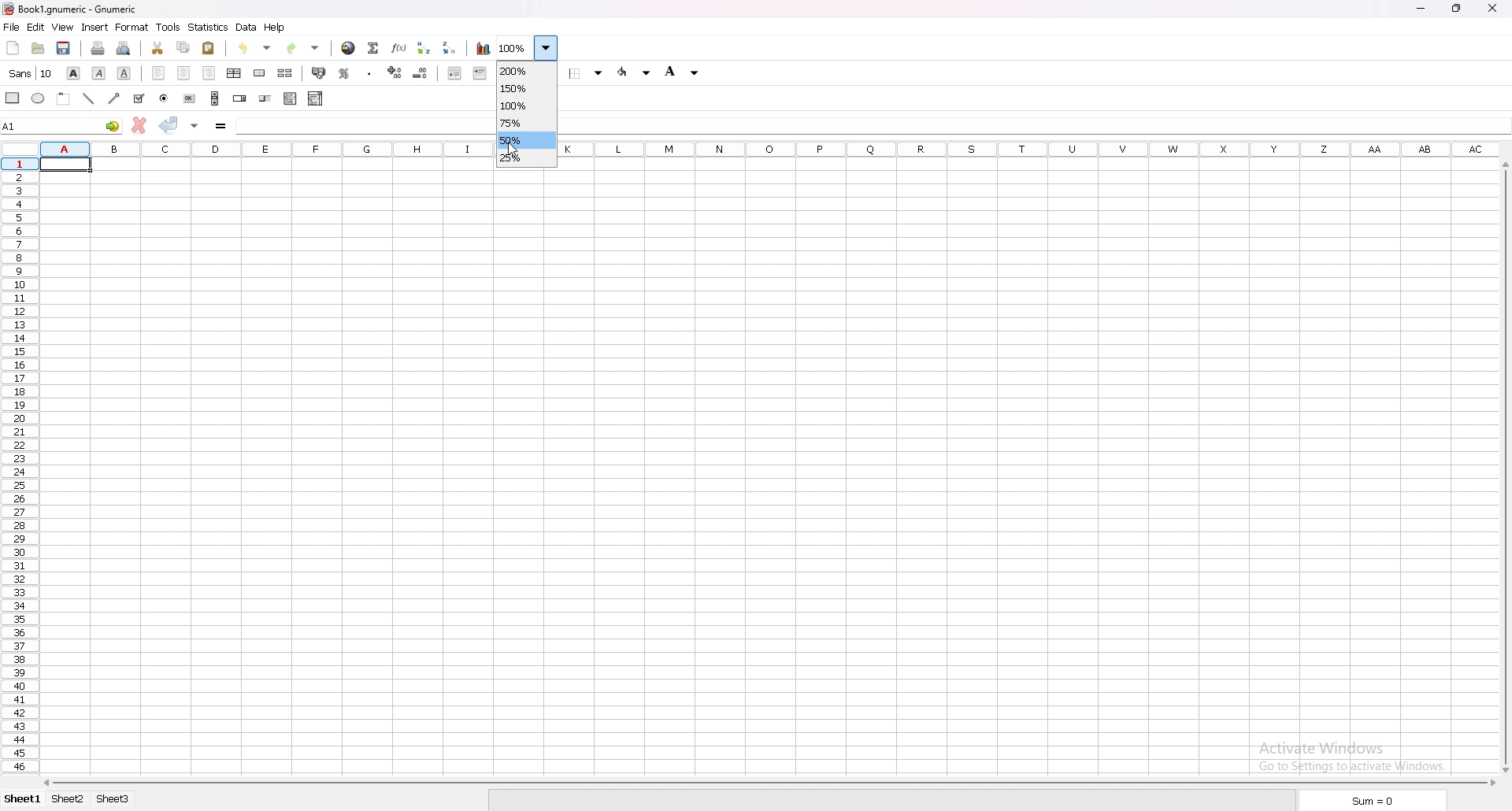 This screenshot has width=1512, height=811. I want to click on scroll bar, so click(769, 783).